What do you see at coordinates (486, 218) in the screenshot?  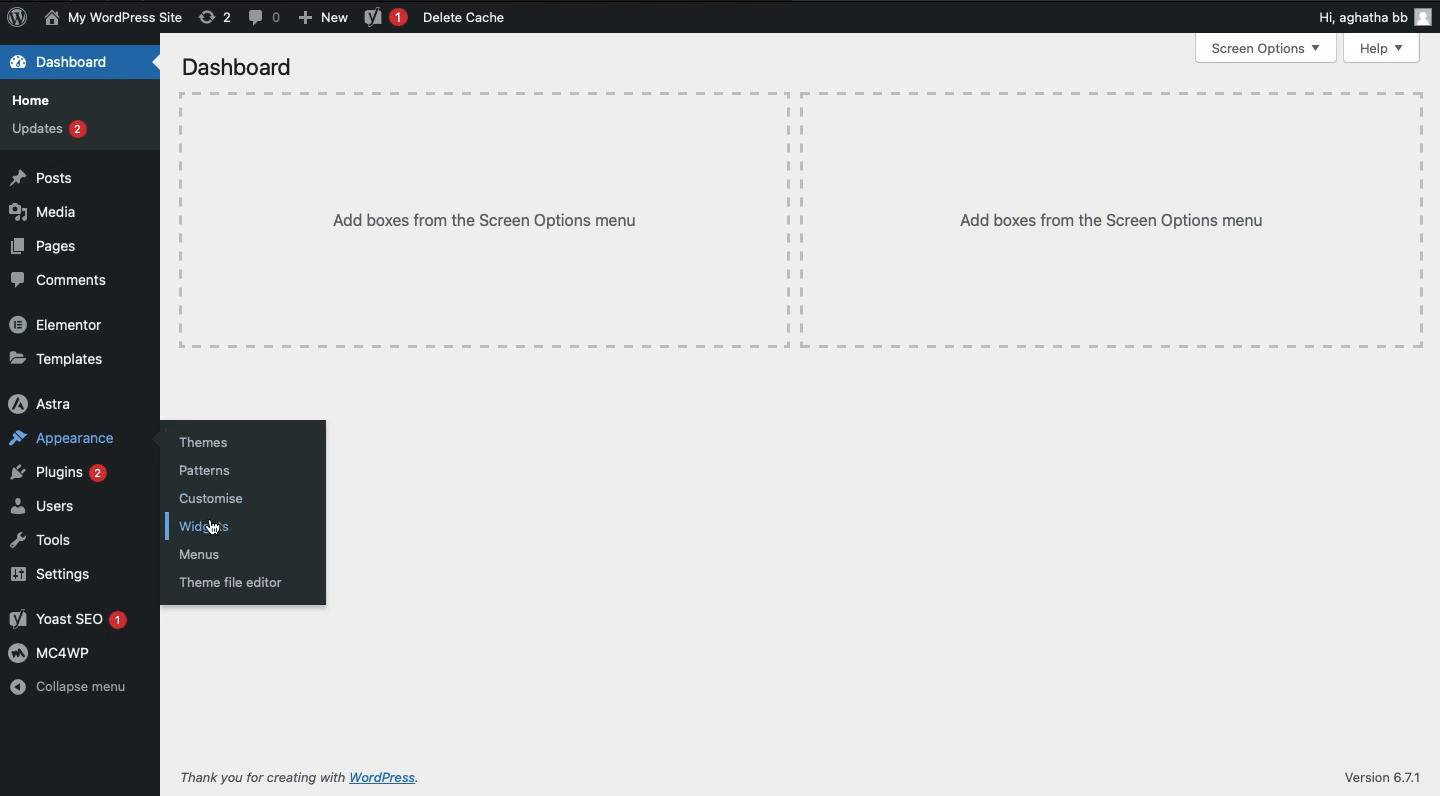 I see `Add boxes from the Screen Options menu` at bounding box center [486, 218].